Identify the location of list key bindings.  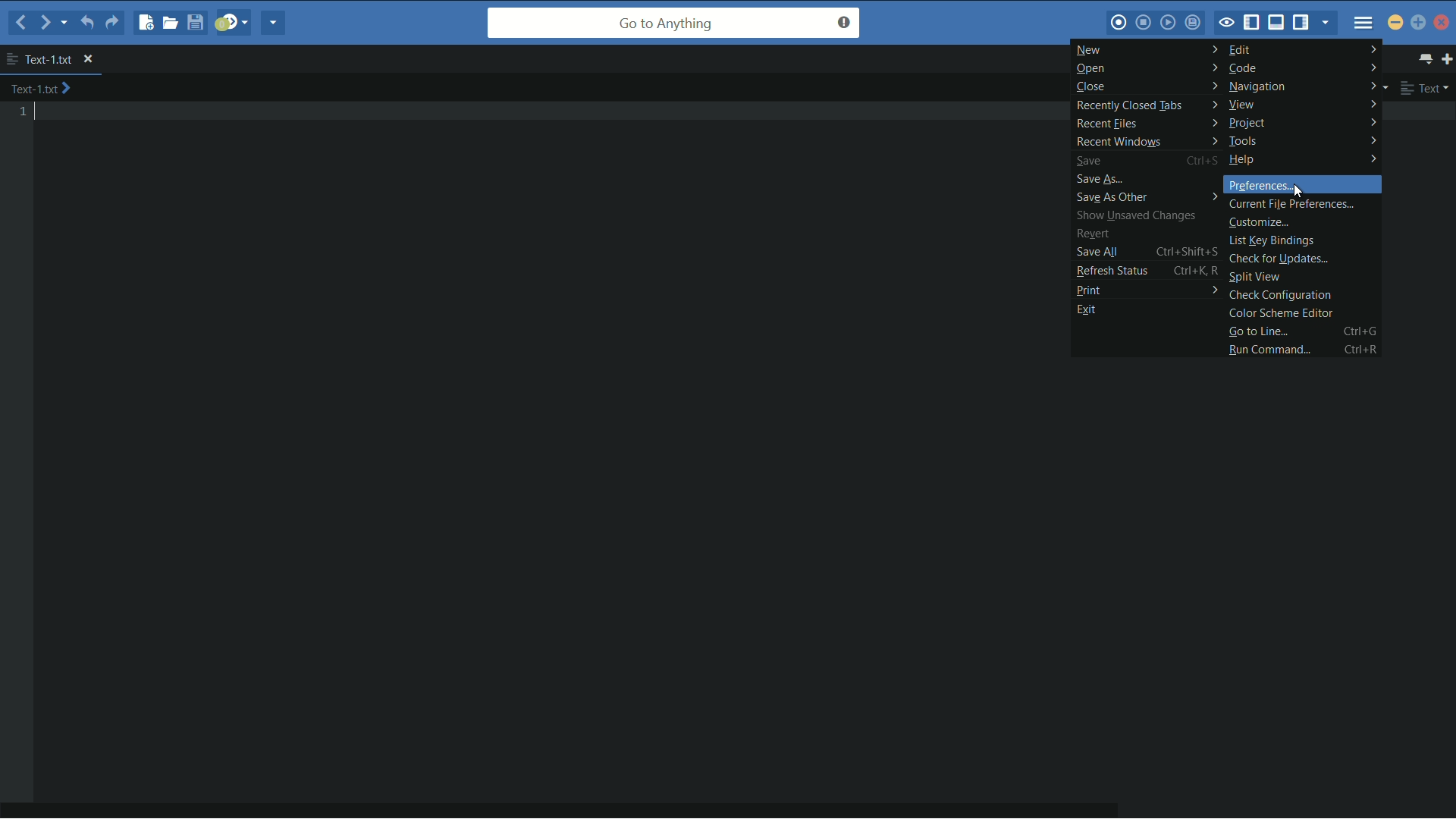
(1271, 240).